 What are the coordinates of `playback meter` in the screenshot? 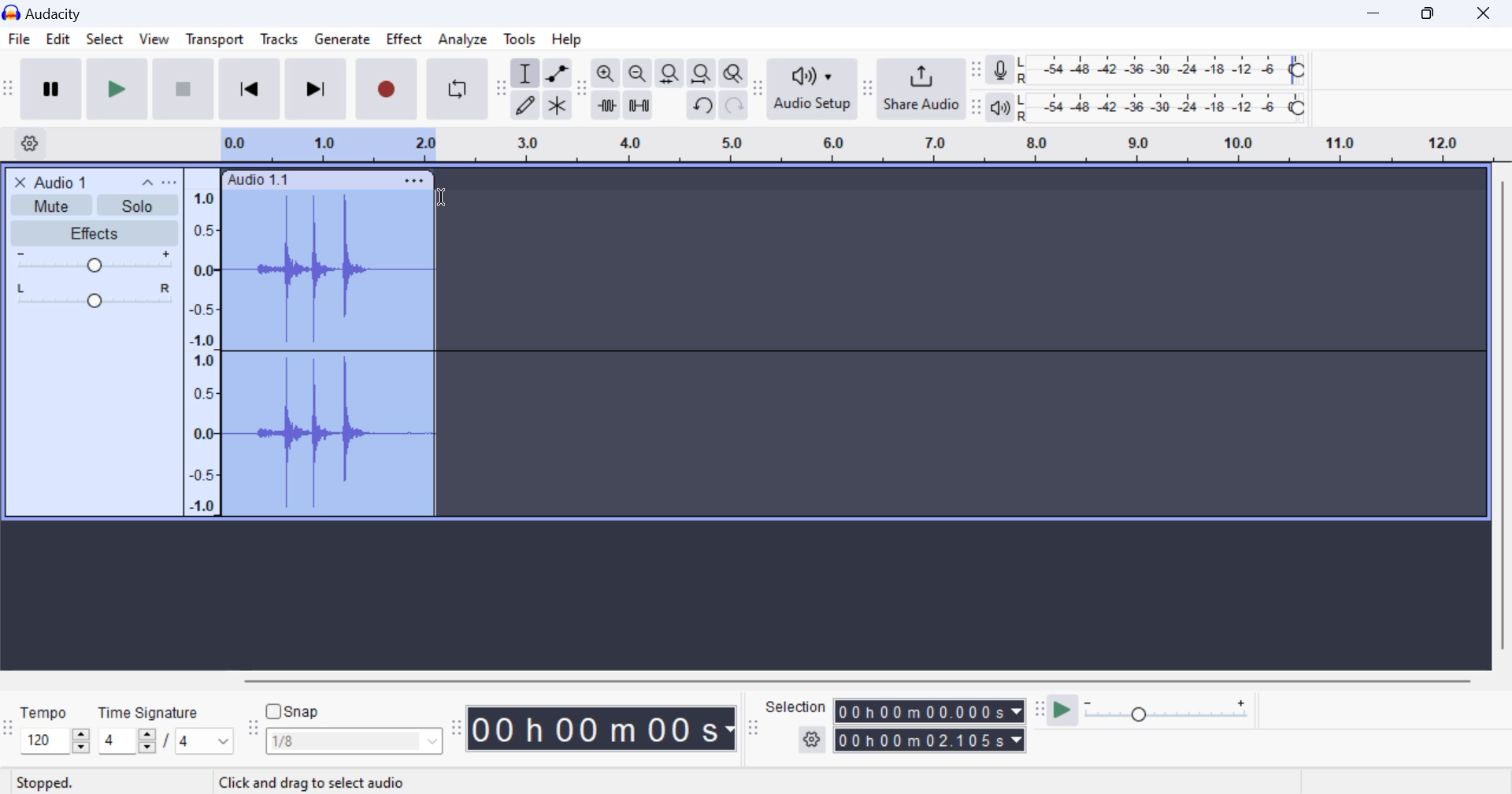 It's located at (1001, 107).